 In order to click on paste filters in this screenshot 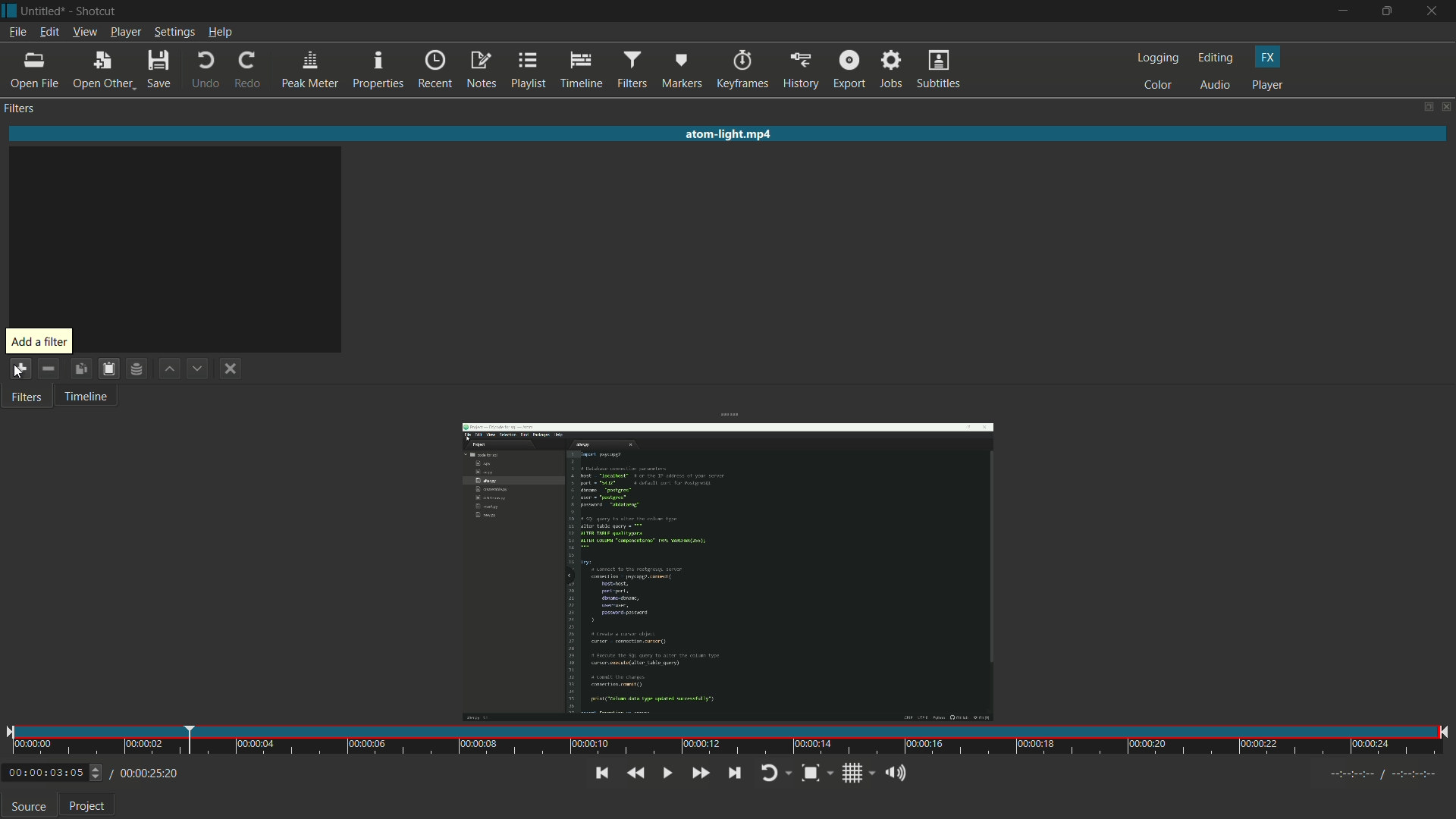, I will do `click(107, 368)`.